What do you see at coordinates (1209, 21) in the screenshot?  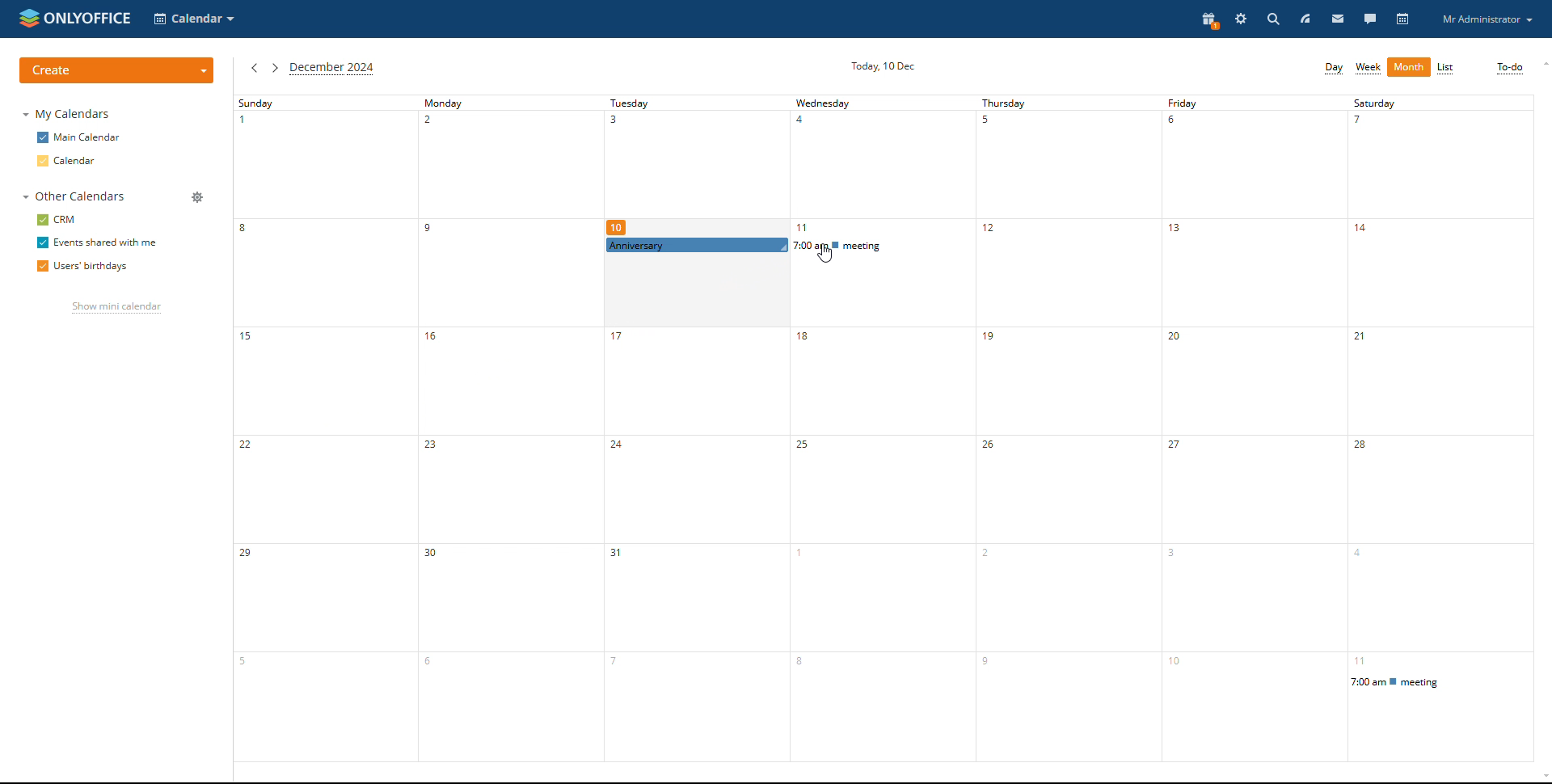 I see `present` at bounding box center [1209, 21].